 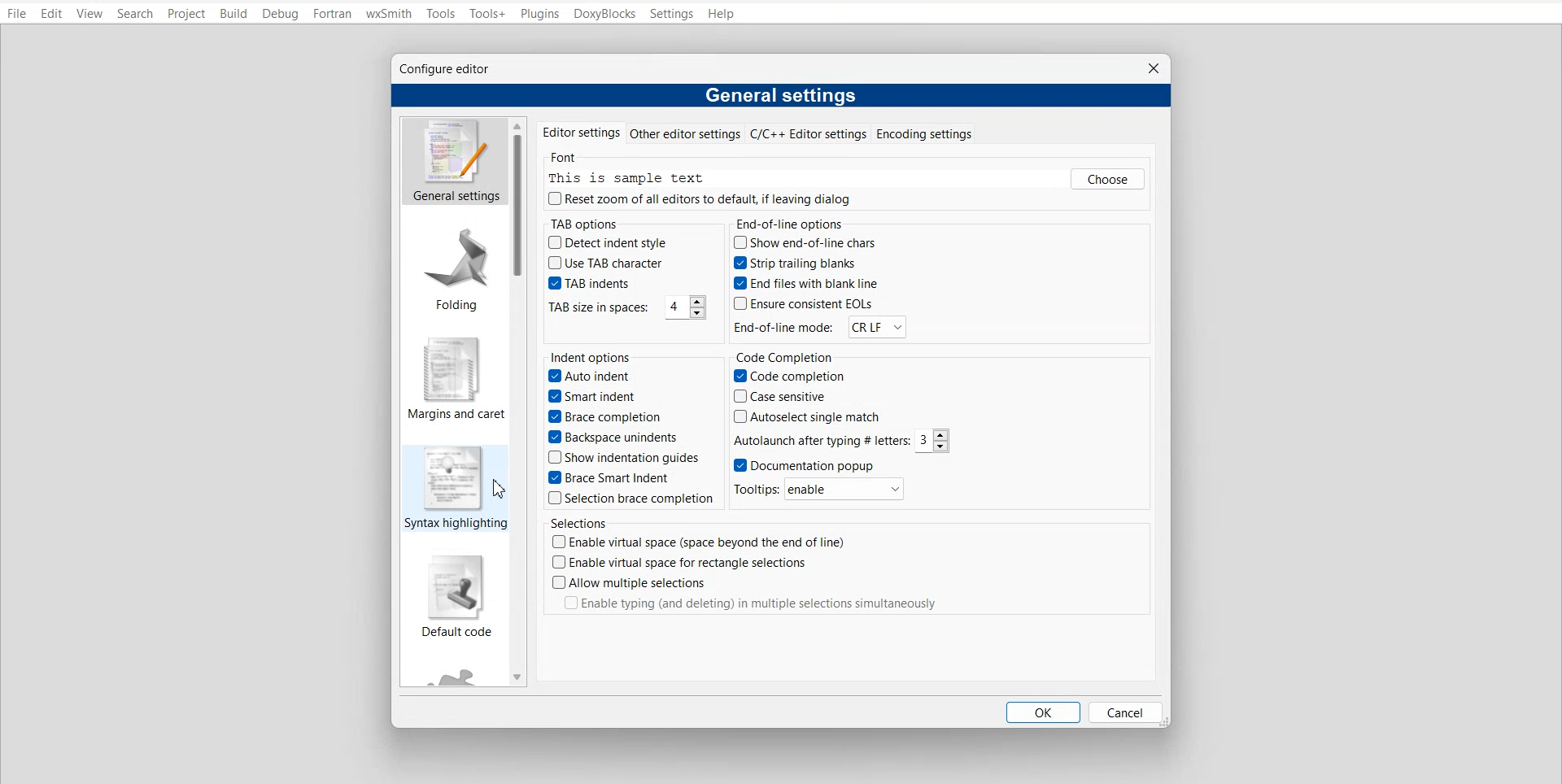 I want to click on Tools, so click(x=441, y=13).